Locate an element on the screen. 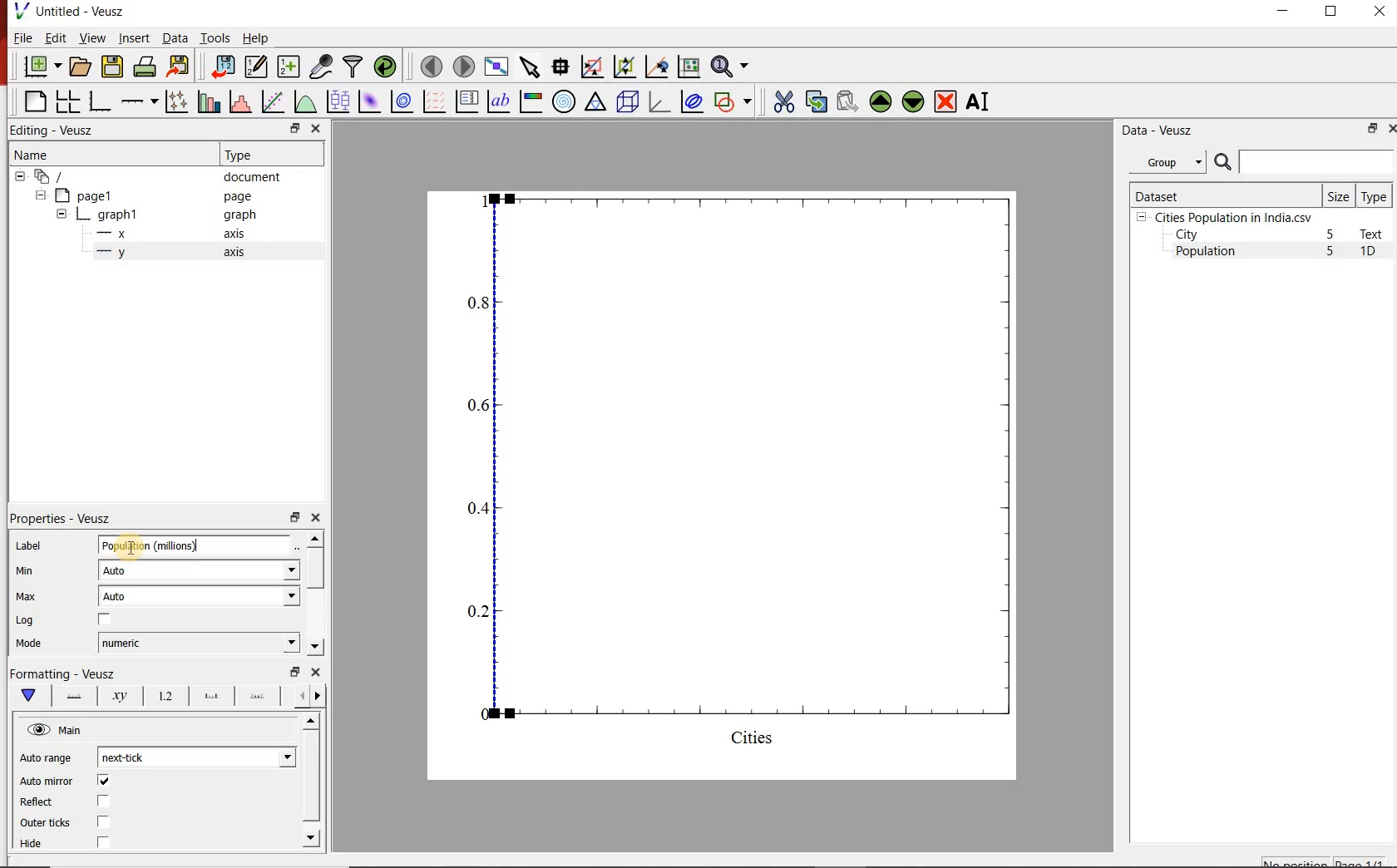  image color bar is located at coordinates (531, 101).